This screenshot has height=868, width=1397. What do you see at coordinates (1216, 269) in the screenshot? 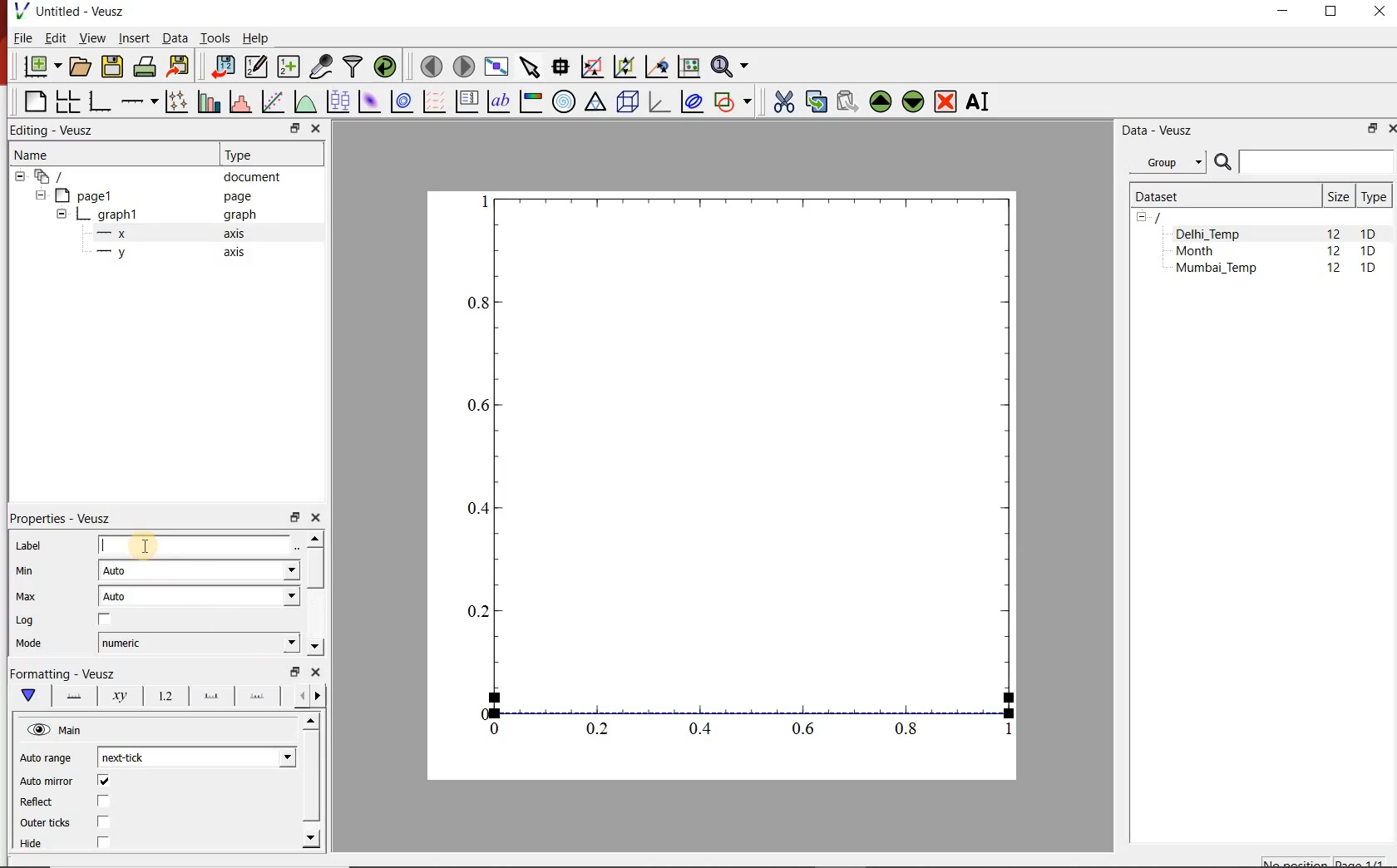
I see `Mumbai_Temp` at bounding box center [1216, 269].